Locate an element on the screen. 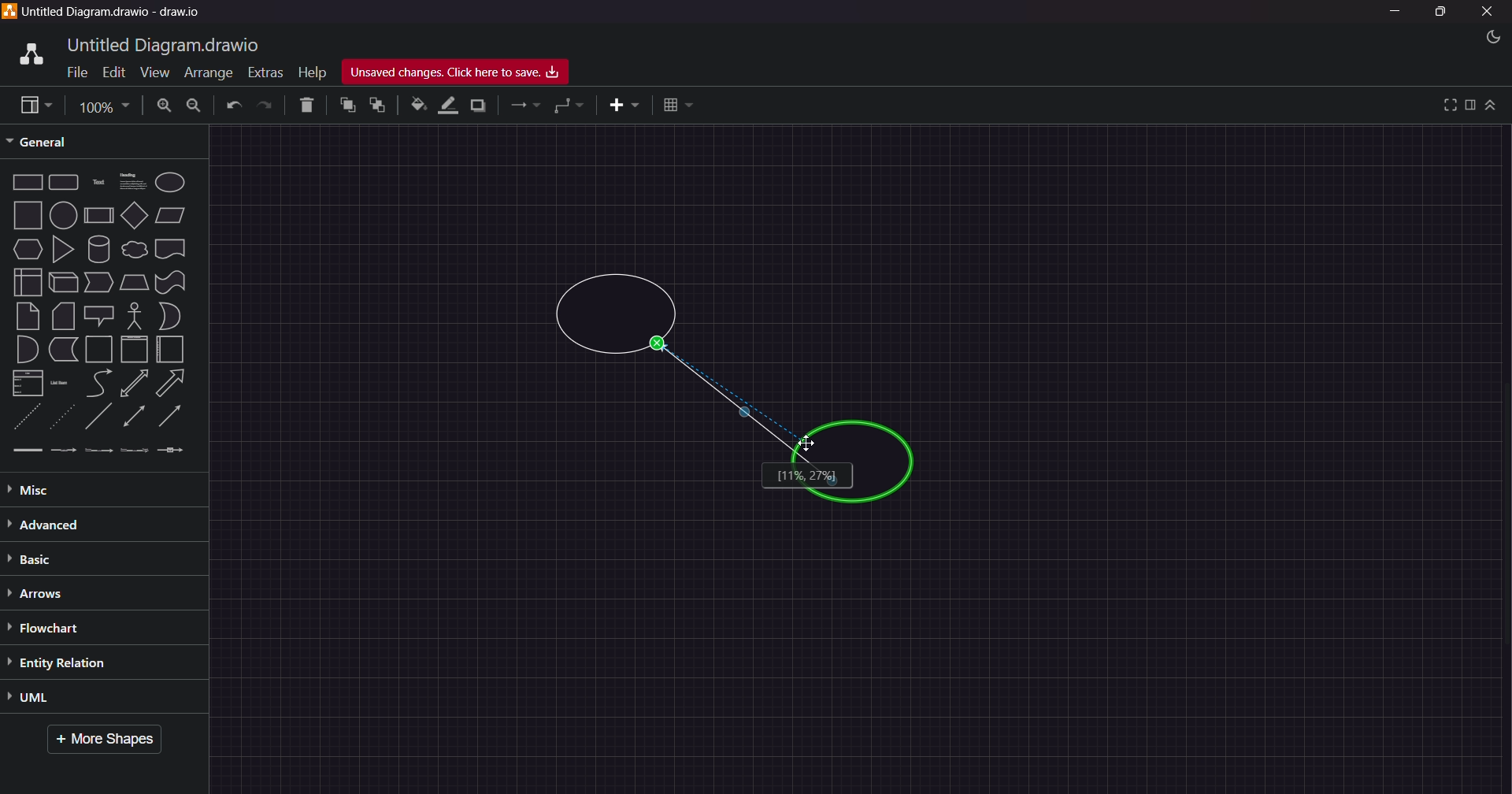 The image size is (1512, 794). to back is located at coordinates (375, 106).